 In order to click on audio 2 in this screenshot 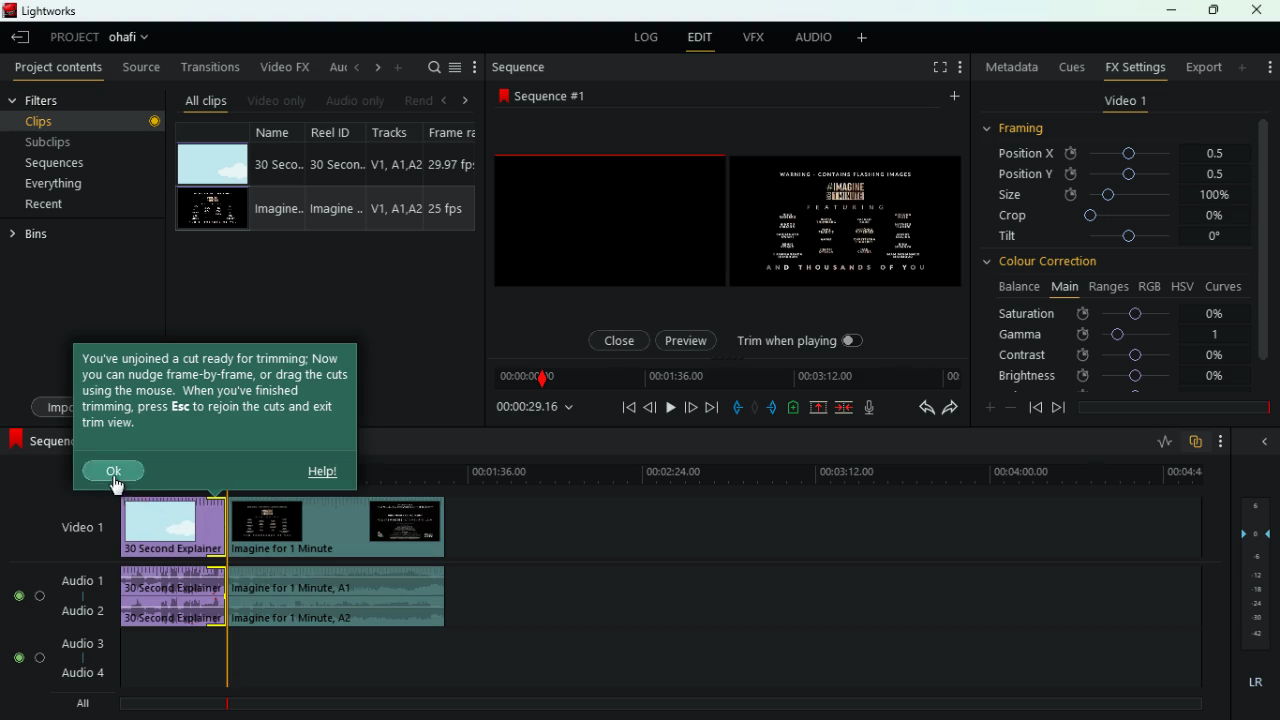, I will do `click(80, 611)`.